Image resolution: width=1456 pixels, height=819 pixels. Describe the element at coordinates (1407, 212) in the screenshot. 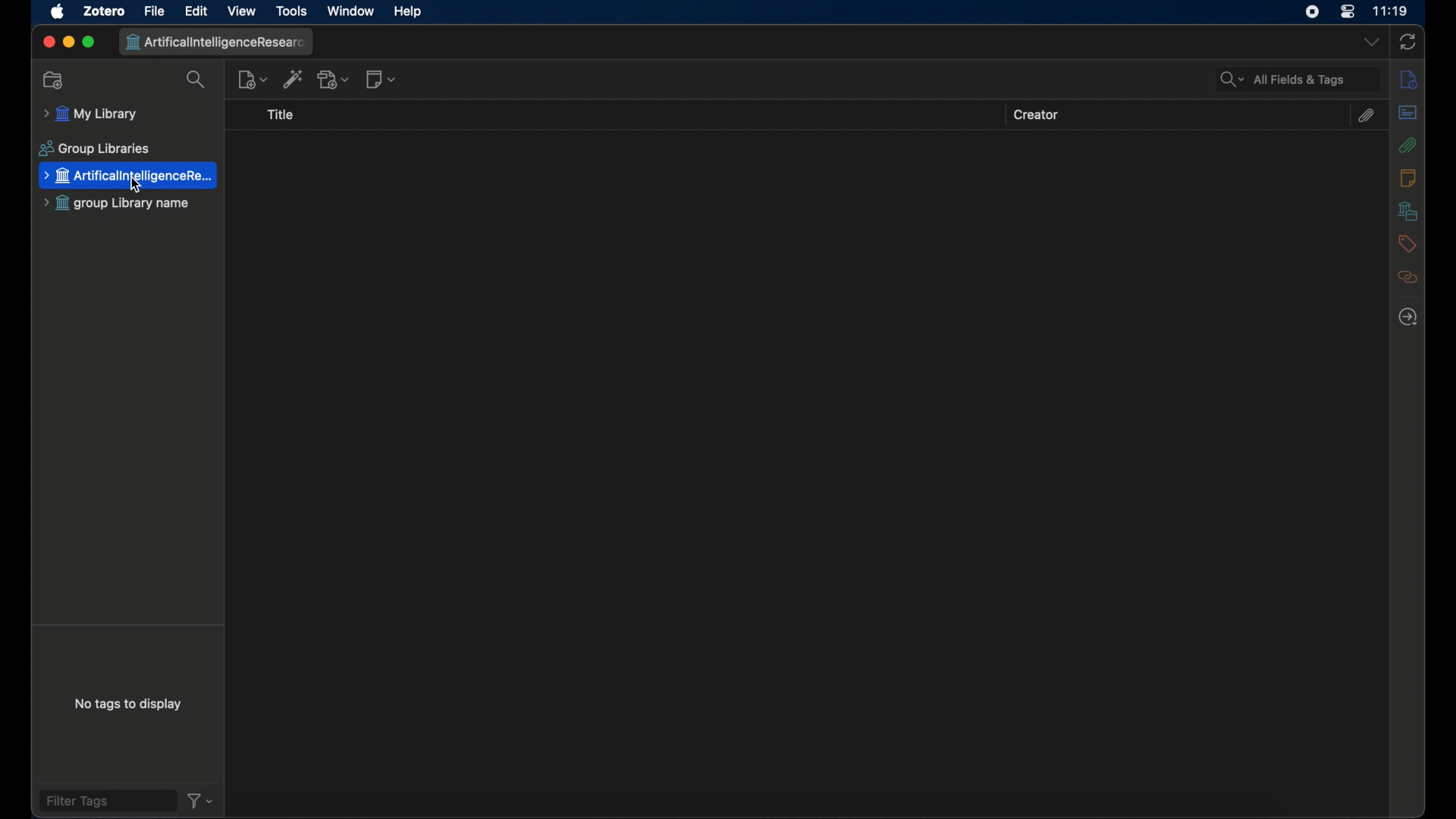

I see `libraries and collections` at that location.